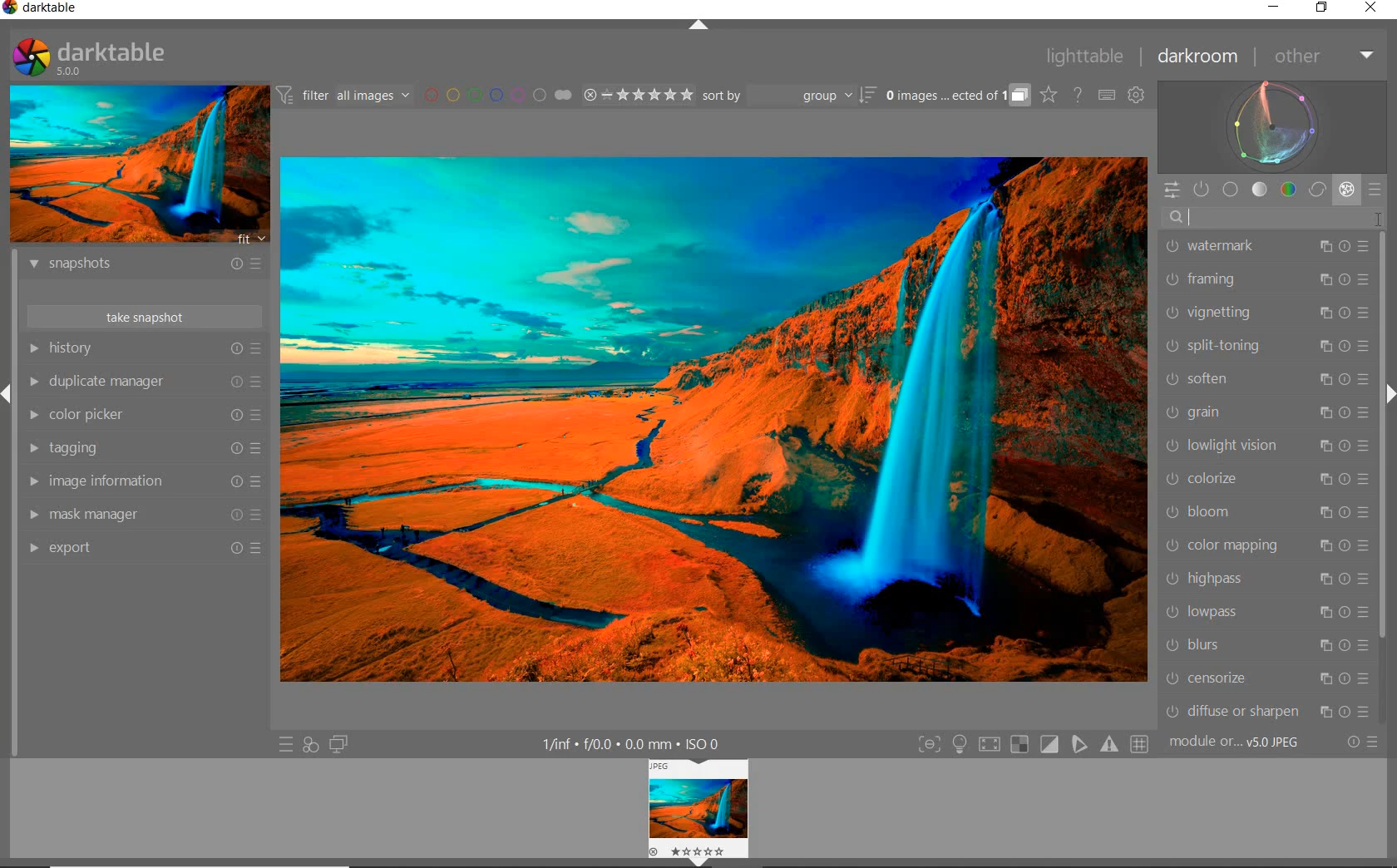 This screenshot has height=868, width=1397. What do you see at coordinates (1078, 95) in the screenshot?
I see `HELP ONLINE` at bounding box center [1078, 95].